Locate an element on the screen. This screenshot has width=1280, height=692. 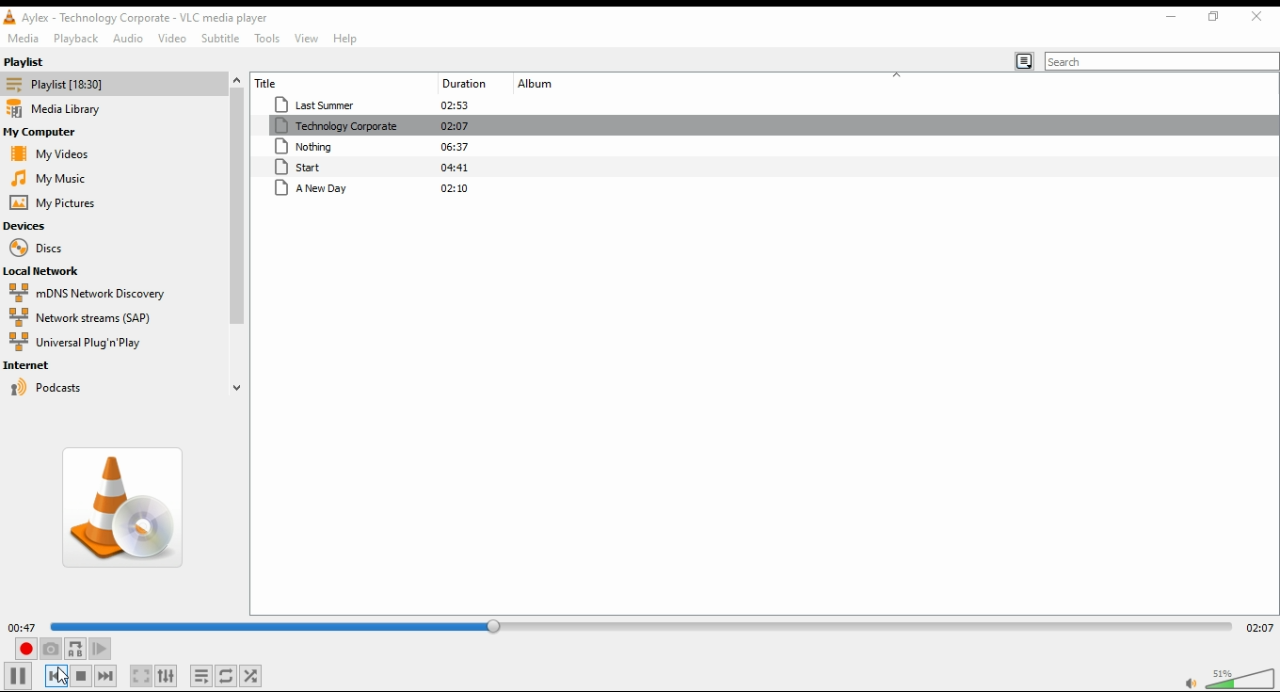
click to toggle between loop all, loop one, and no loop is located at coordinates (225, 677).